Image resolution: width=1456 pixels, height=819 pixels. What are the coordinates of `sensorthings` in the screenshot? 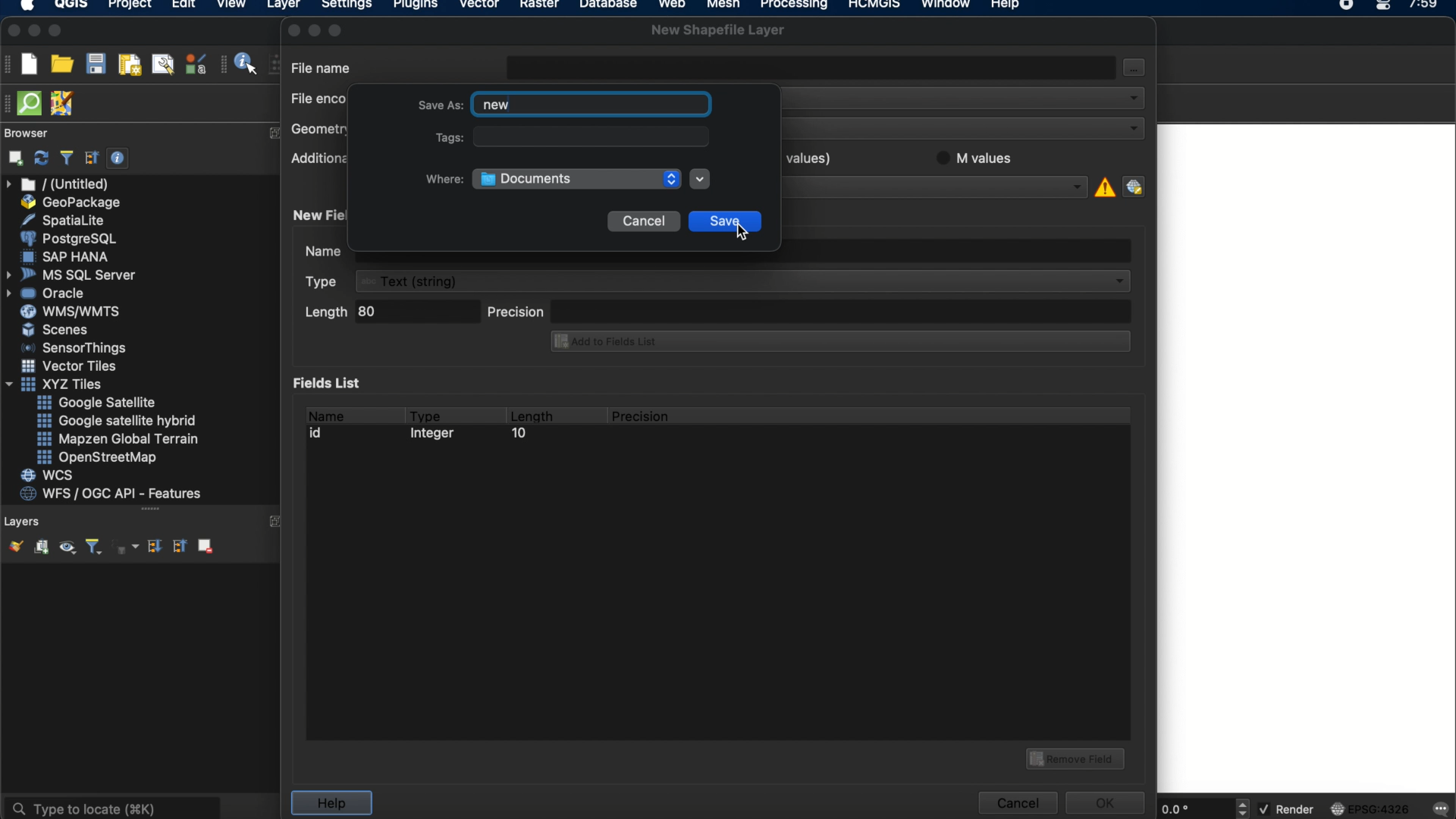 It's located at (74, 348).